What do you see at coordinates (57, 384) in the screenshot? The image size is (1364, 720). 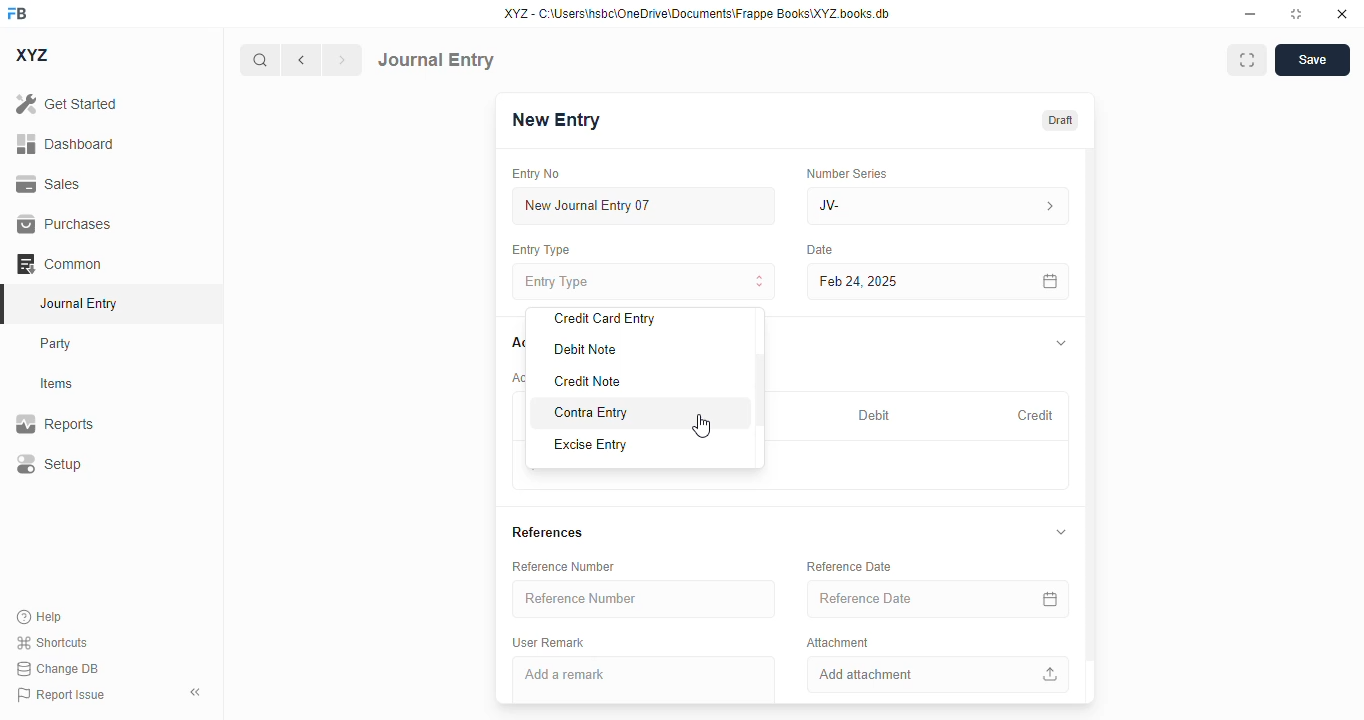 I see `items` at bounding box center [57, 384].